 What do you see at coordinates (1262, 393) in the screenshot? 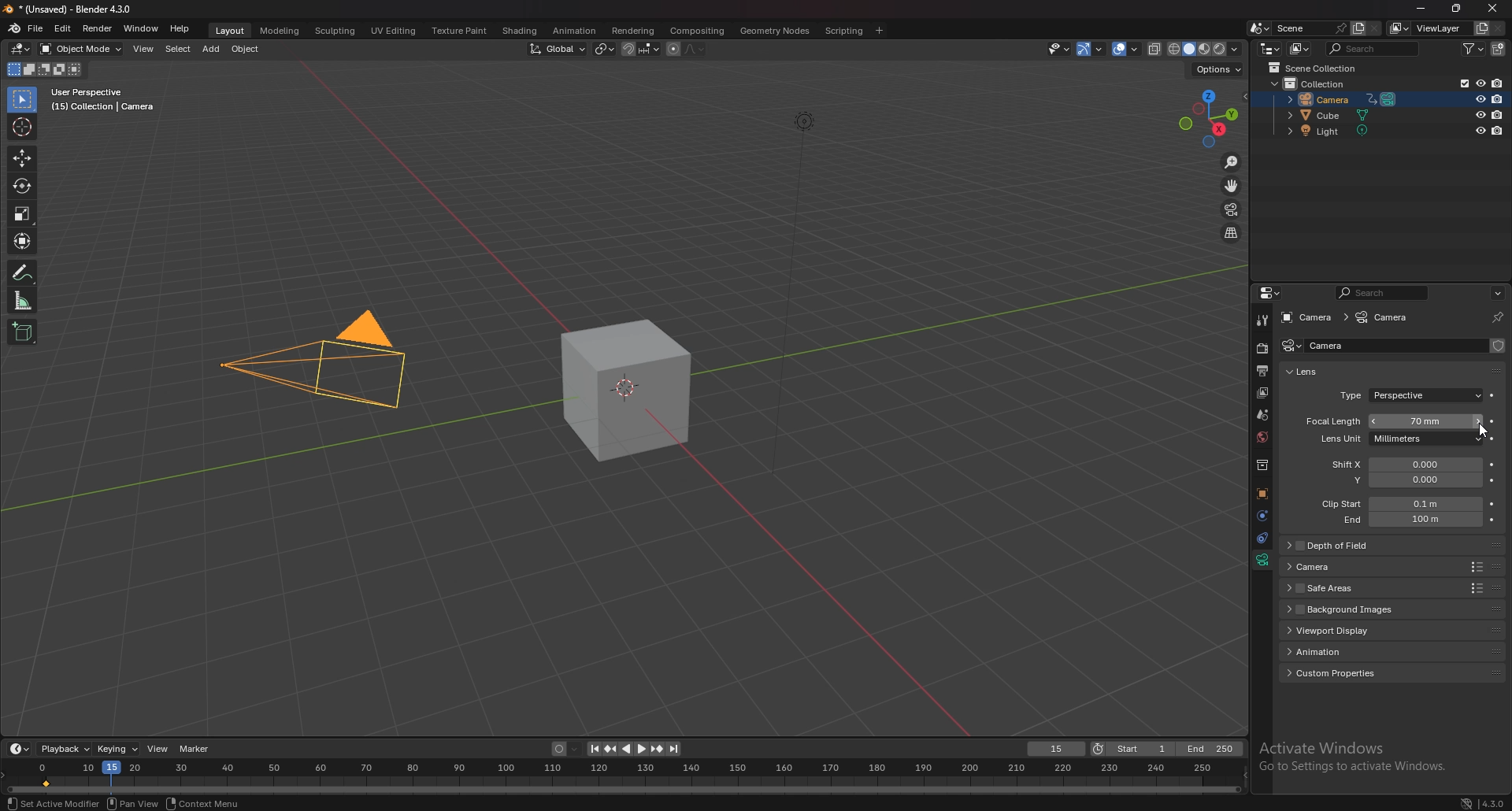
I see `layer` at bounding box center [1262, 393].